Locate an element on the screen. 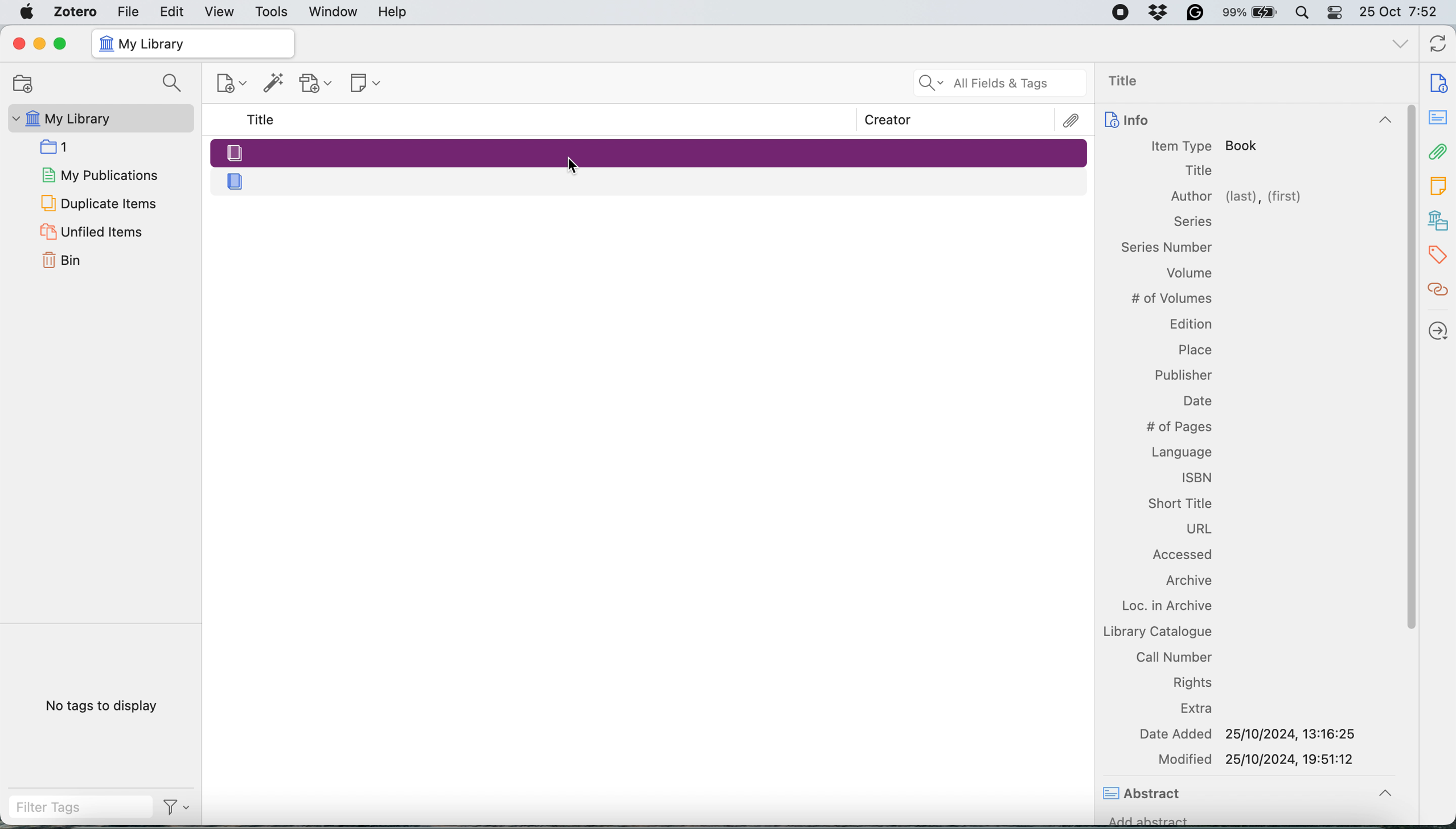 The image size is (1456, 829). Notes is located at coordinates (1439, 183).